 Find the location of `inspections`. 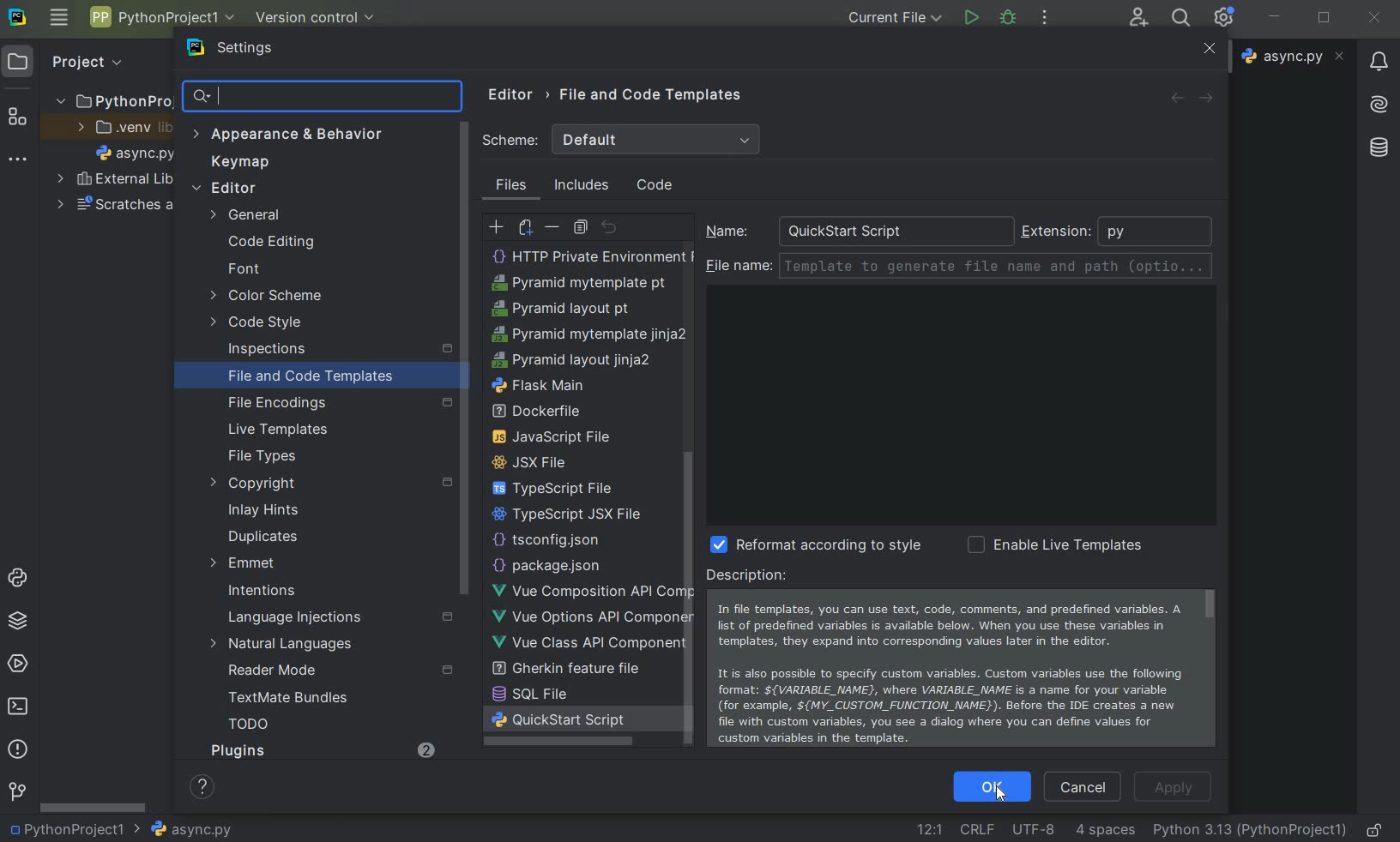

inspections is located at coordinates (335, 351).